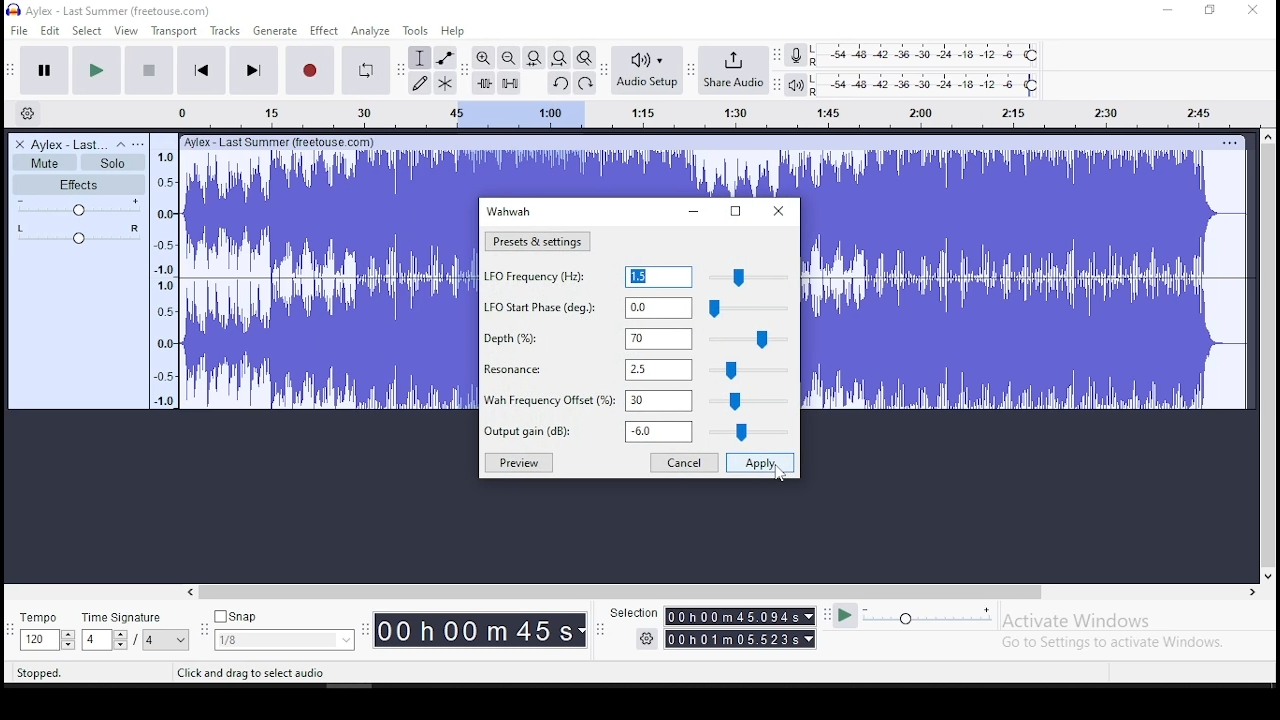  I want to click on timeline, so click(168, 274).